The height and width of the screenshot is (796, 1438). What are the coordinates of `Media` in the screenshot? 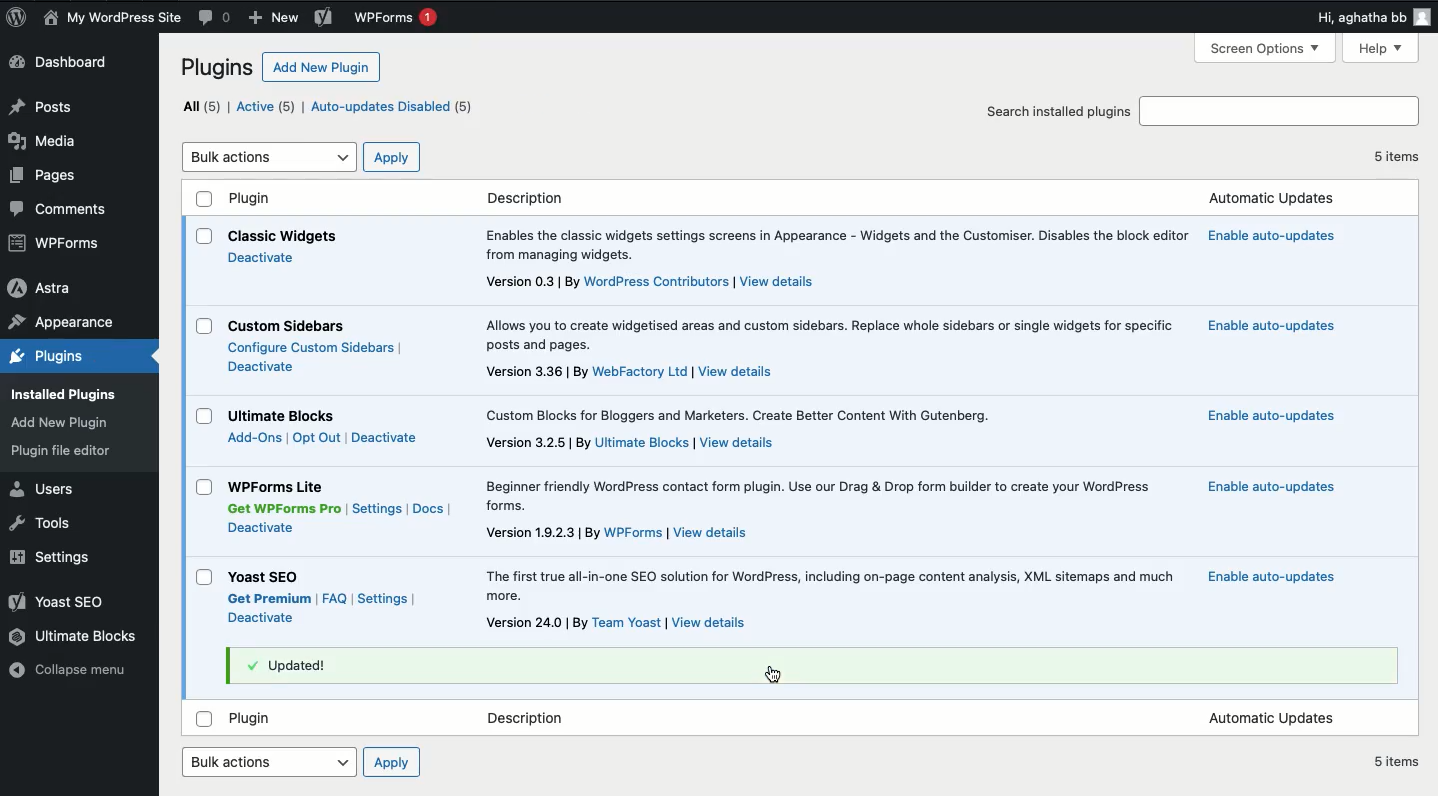 It's located at (45, 142).